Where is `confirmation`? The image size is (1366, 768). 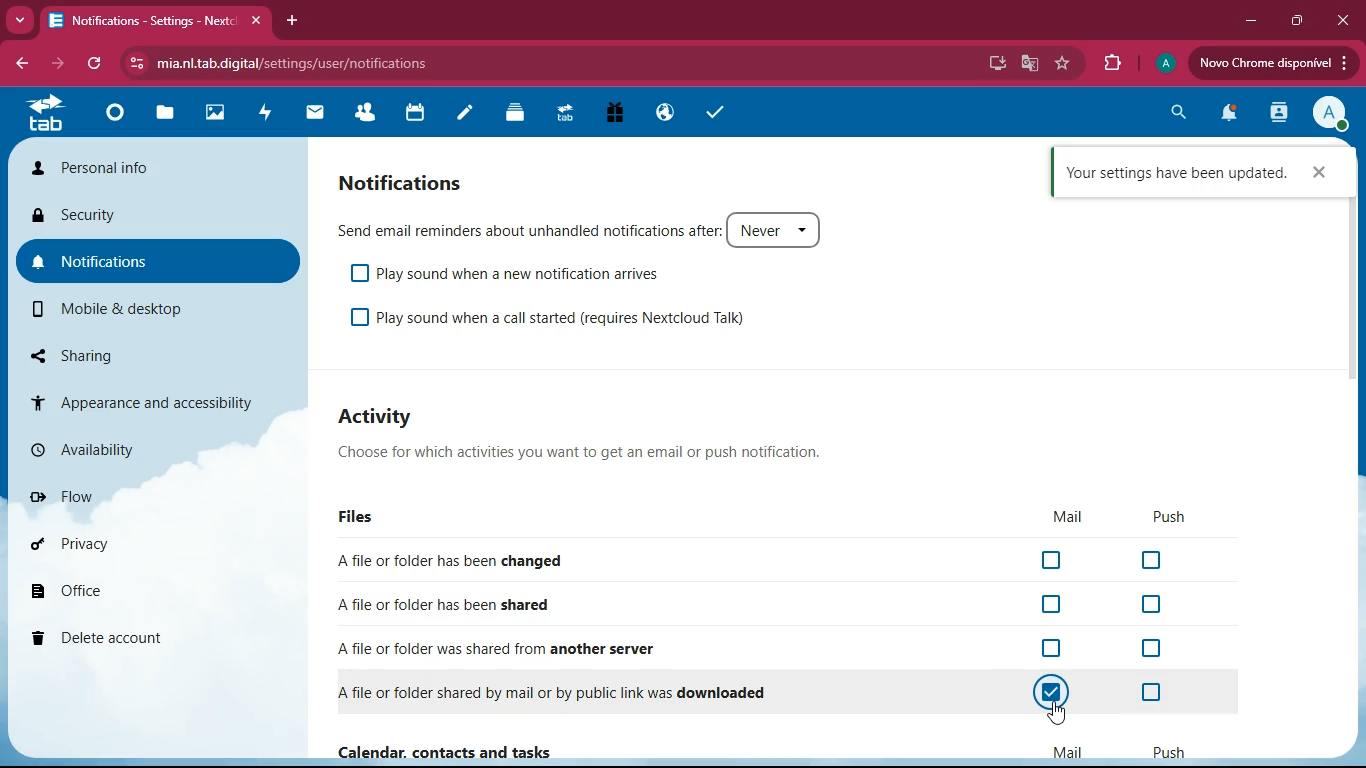
confirmation is located at coordinates (1205, 173).